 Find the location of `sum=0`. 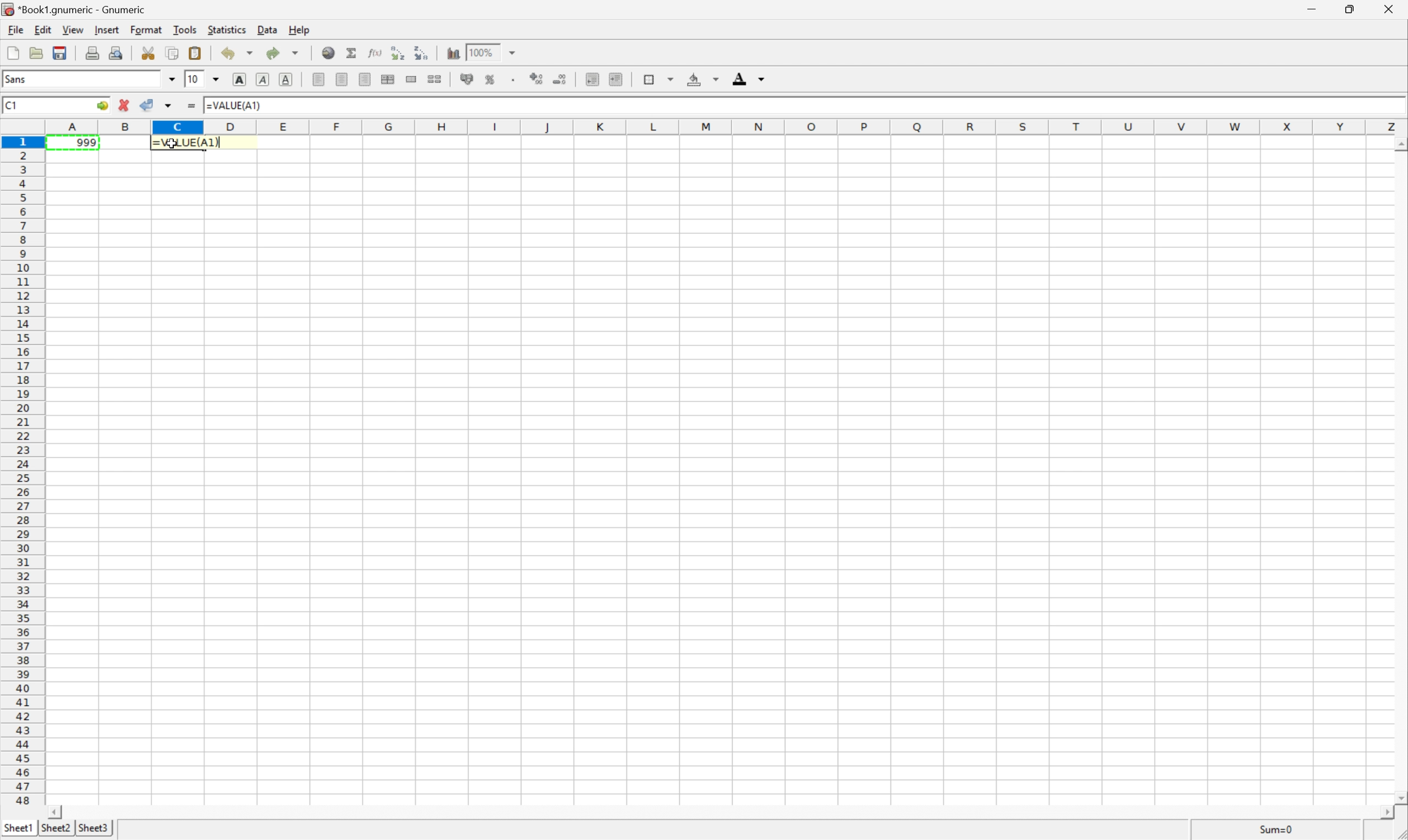

sum=0 is located at coordinates (1277, 828).